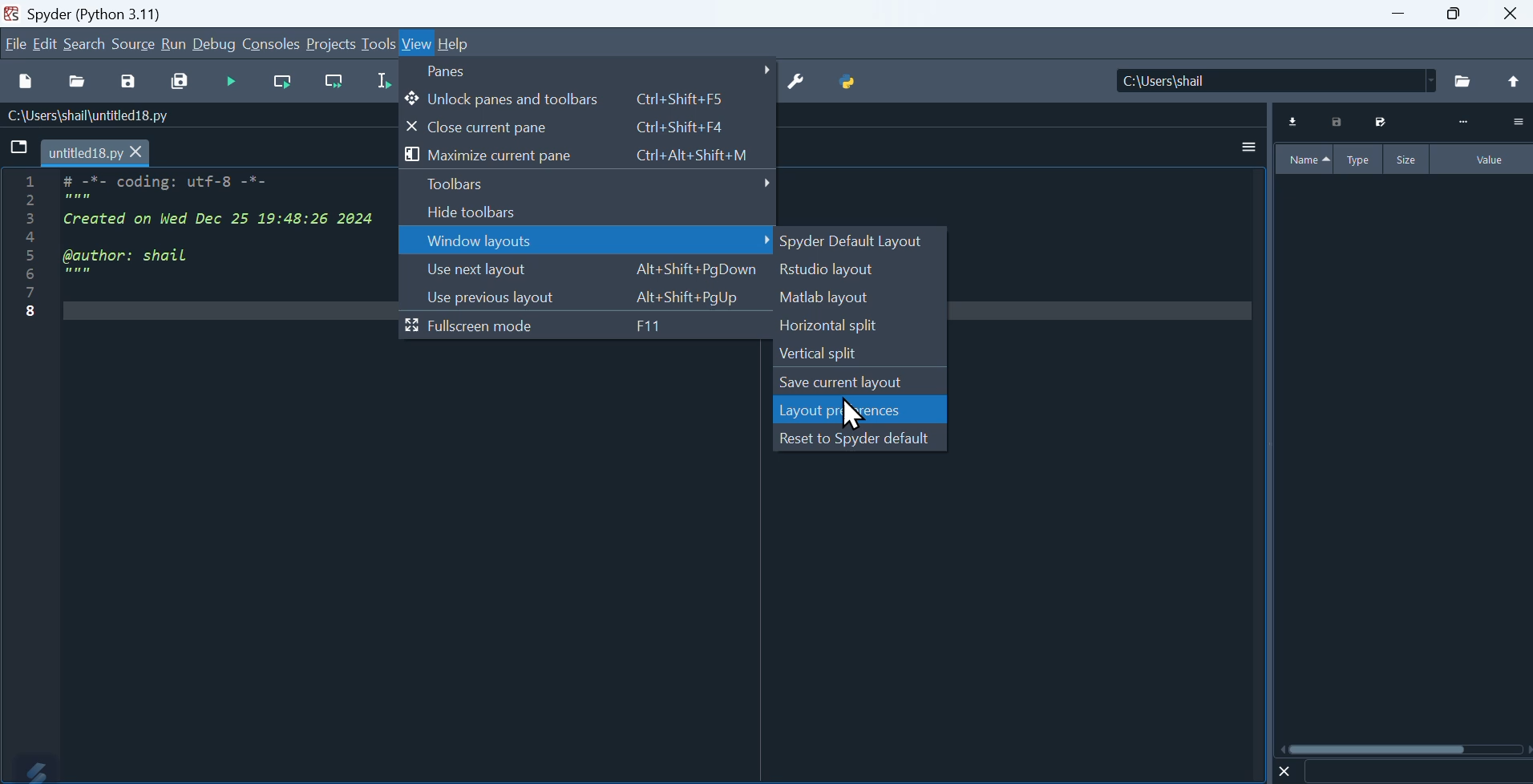 The height and width of the screenshot is (784, 1533). I want to click on w == Coding. ULT=0 ==Created on Wed Dec 25 19:48:26 2024 @author: shail, so click(200, 260).